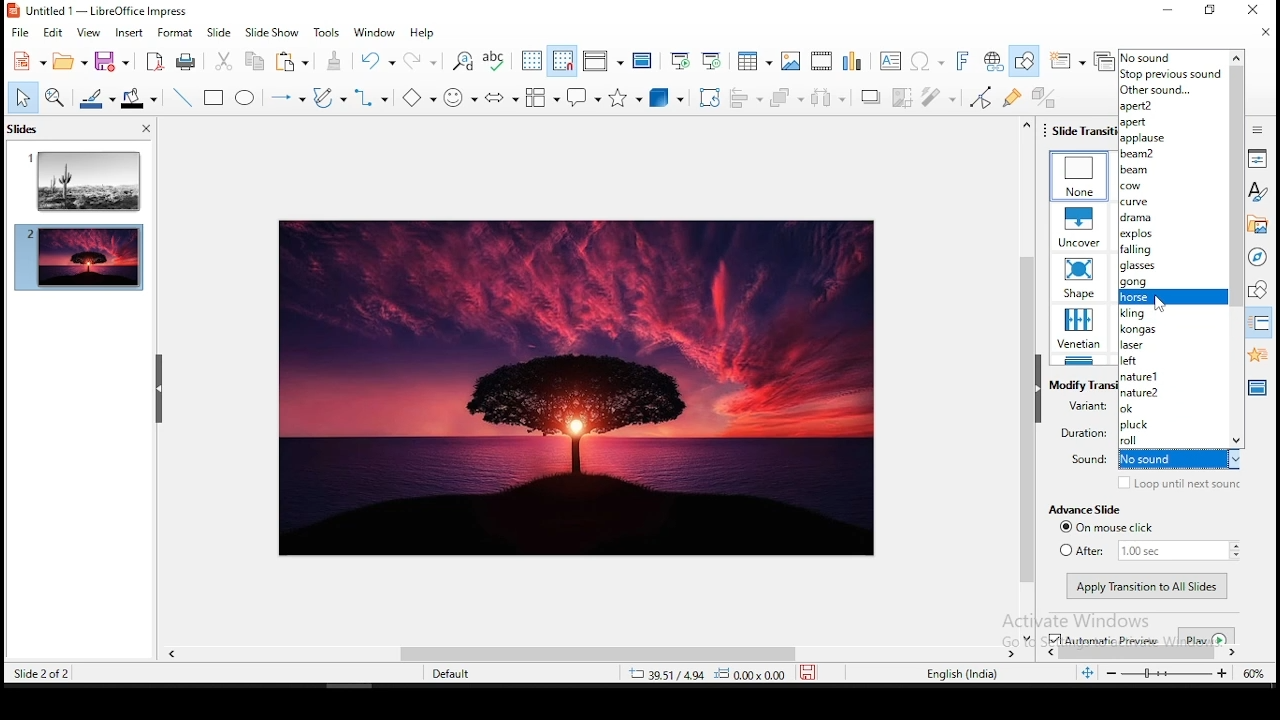 This screenshot has width=1280, height=720. Describe the element at coordinates (271, 32) in the screenshot. I see `slide show` at that location.